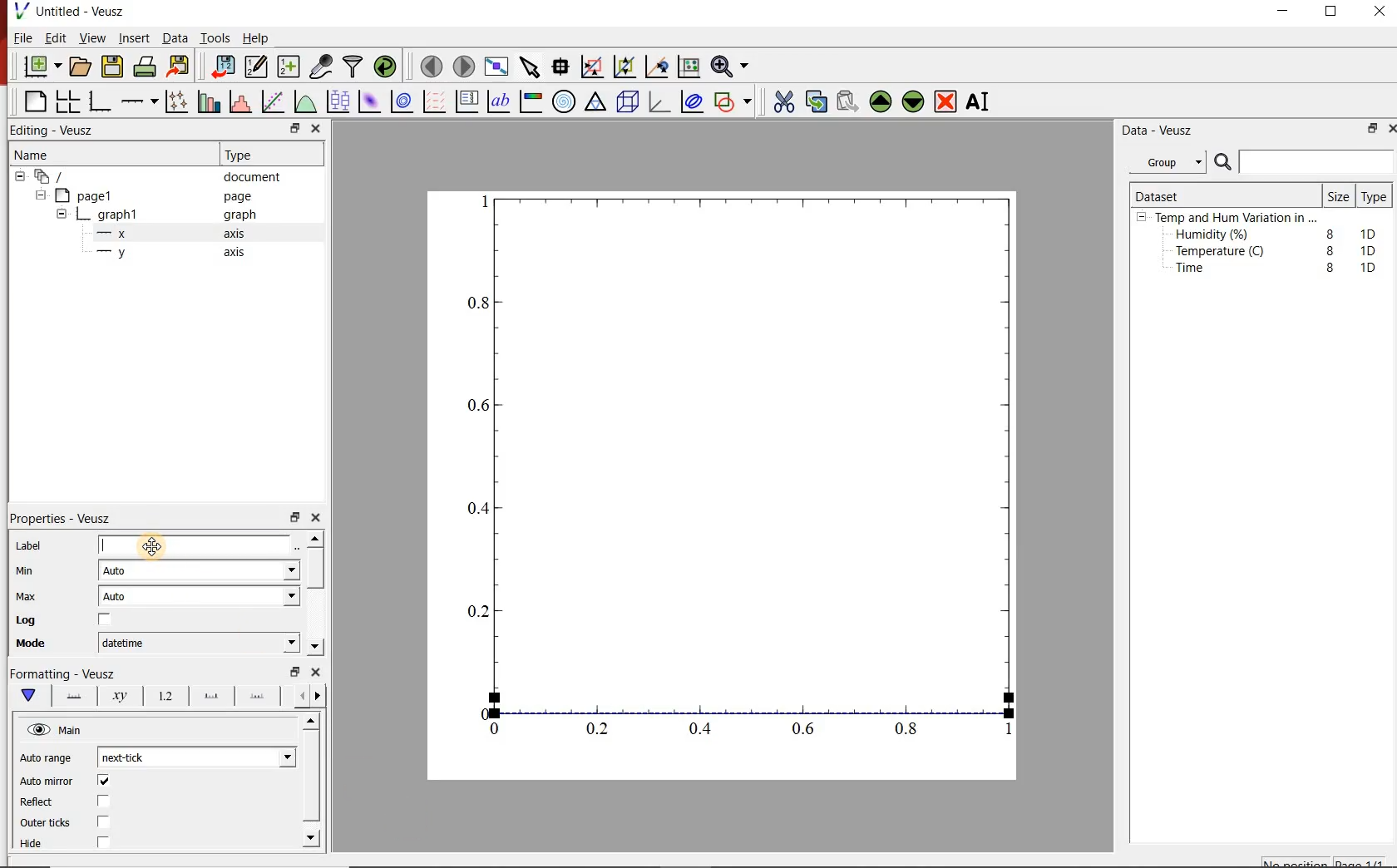  What do you see at coordinates (300, 545) in the screenshot?
I see `Edit text` at bounding box center [300, 545].